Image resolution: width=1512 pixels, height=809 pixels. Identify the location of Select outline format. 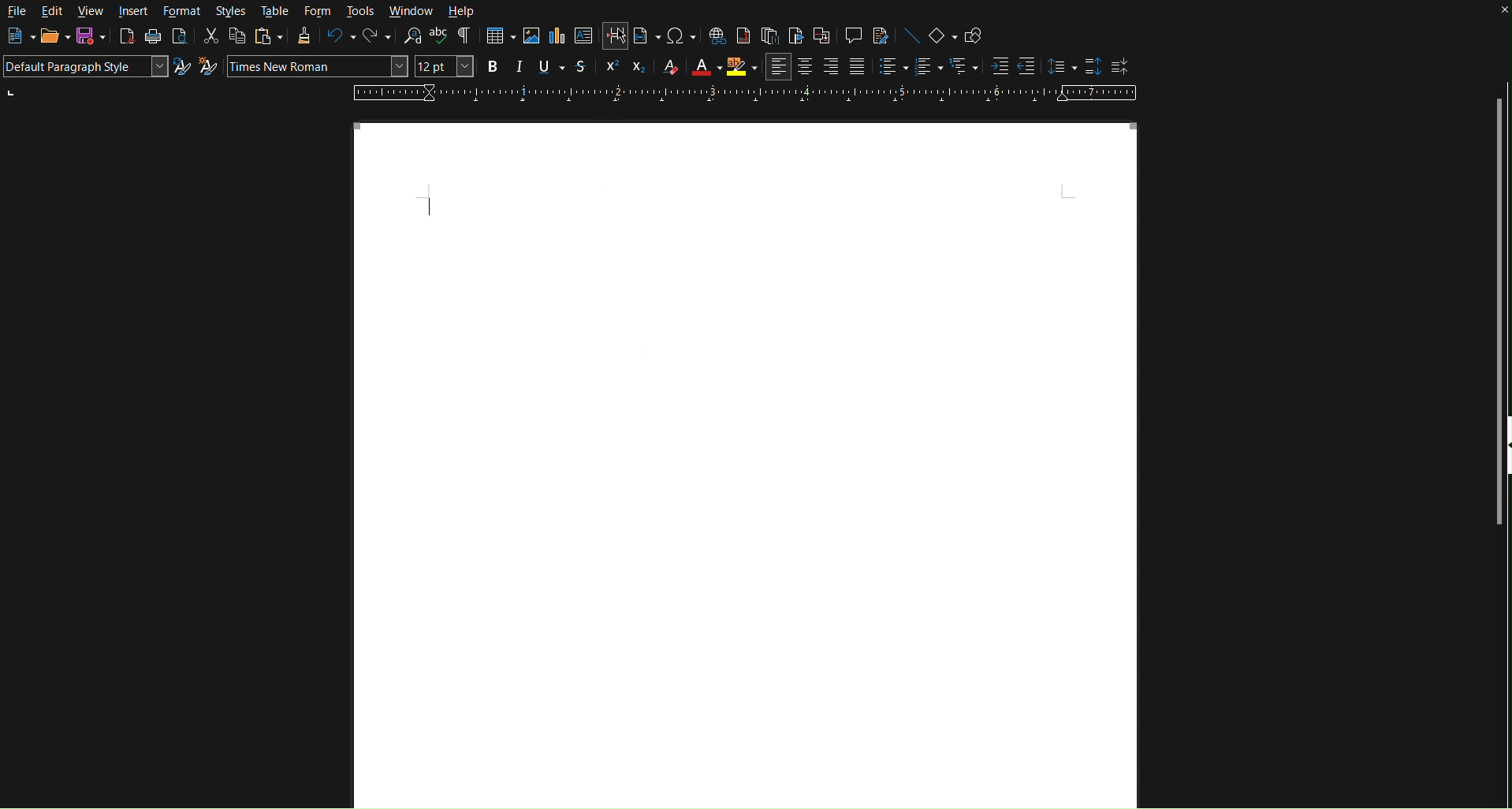
(963, 67).